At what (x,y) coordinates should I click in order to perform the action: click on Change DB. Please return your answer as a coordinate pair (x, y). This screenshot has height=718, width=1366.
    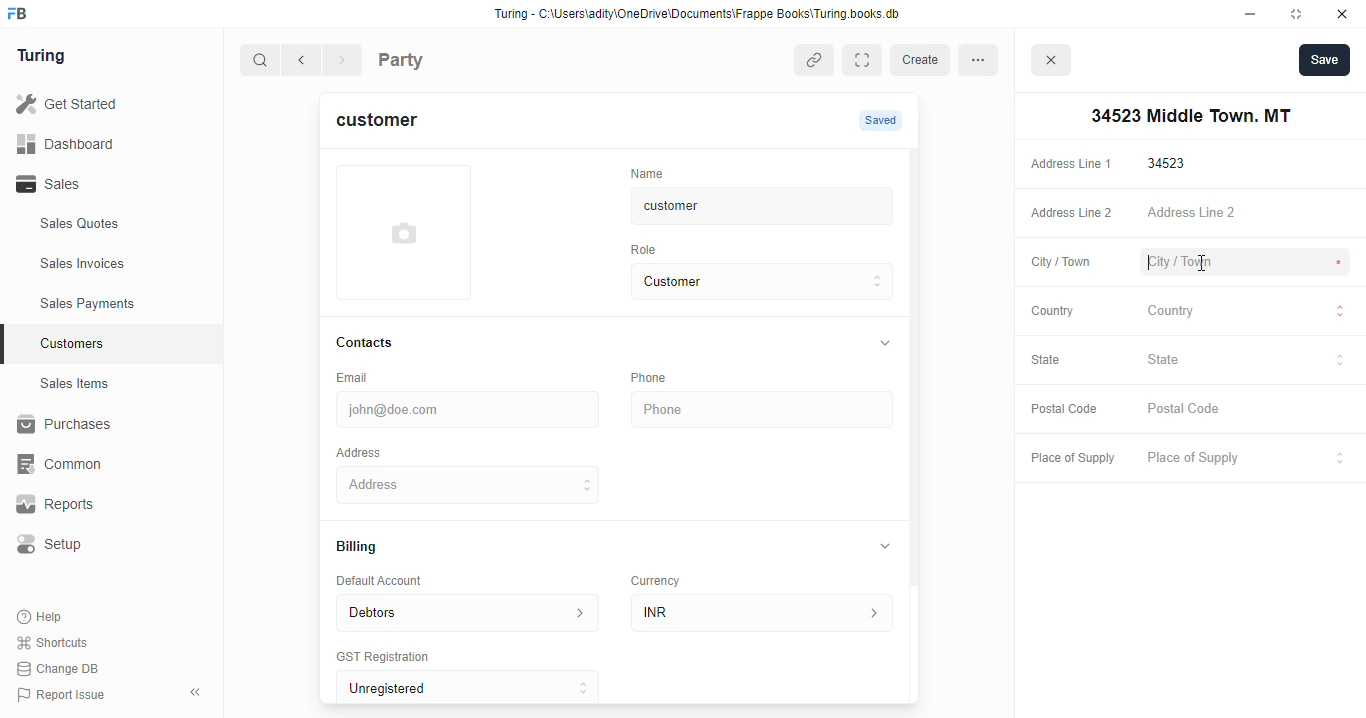
    Looking at the image, I should click on (62, 668).